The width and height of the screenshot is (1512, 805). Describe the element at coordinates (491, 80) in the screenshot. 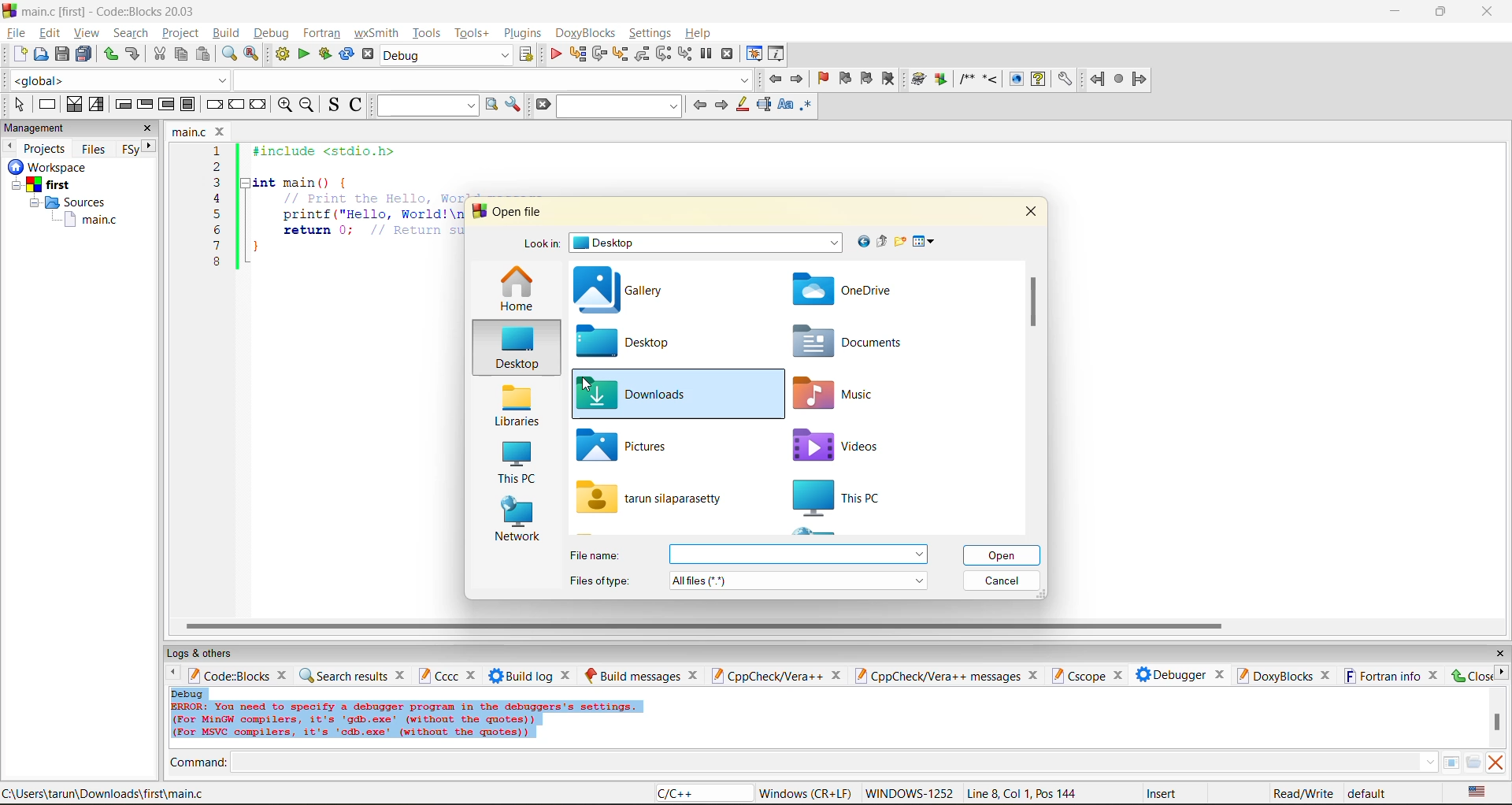

I see `dropdown` at that location.